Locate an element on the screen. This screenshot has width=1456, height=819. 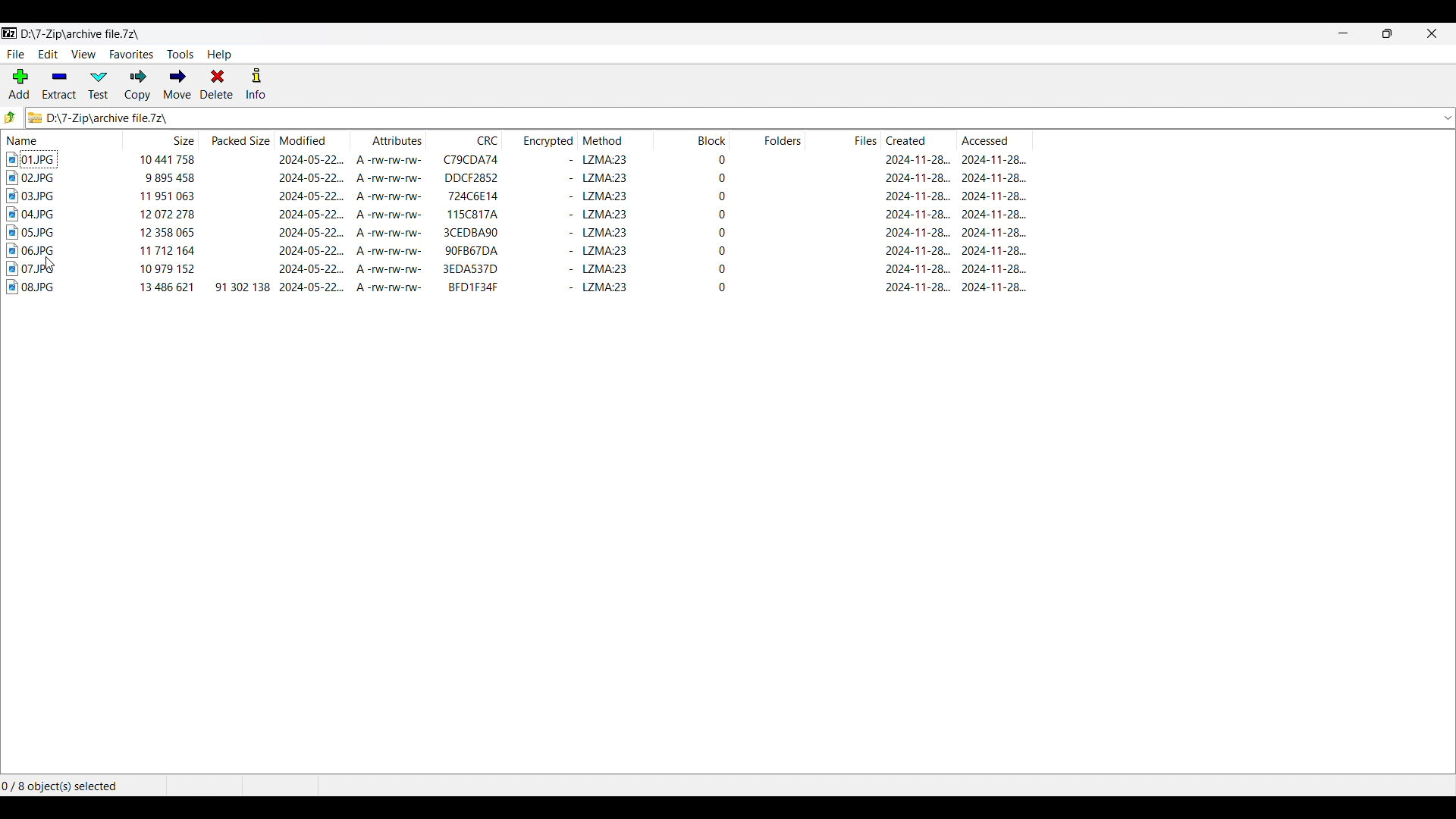
cursor is located at coordinates (50, 263).